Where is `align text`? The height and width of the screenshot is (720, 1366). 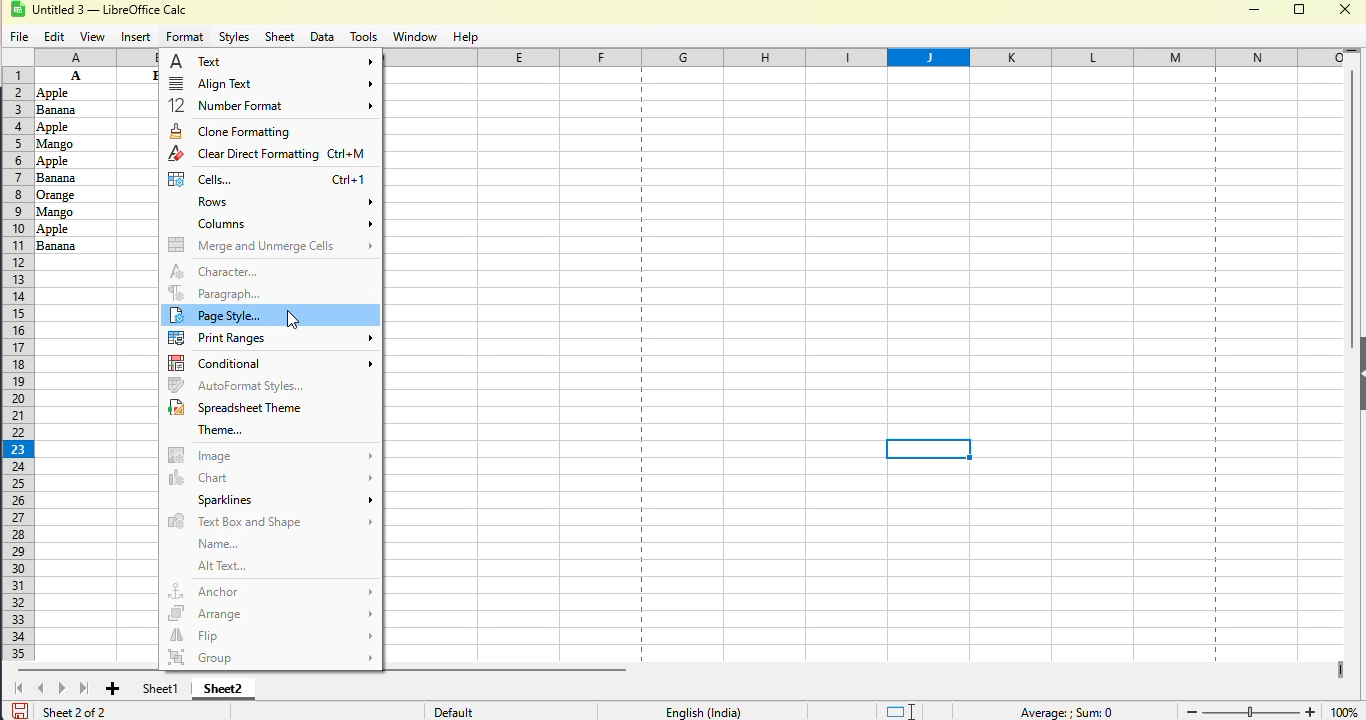
align text is located at coordinates (271, 83).